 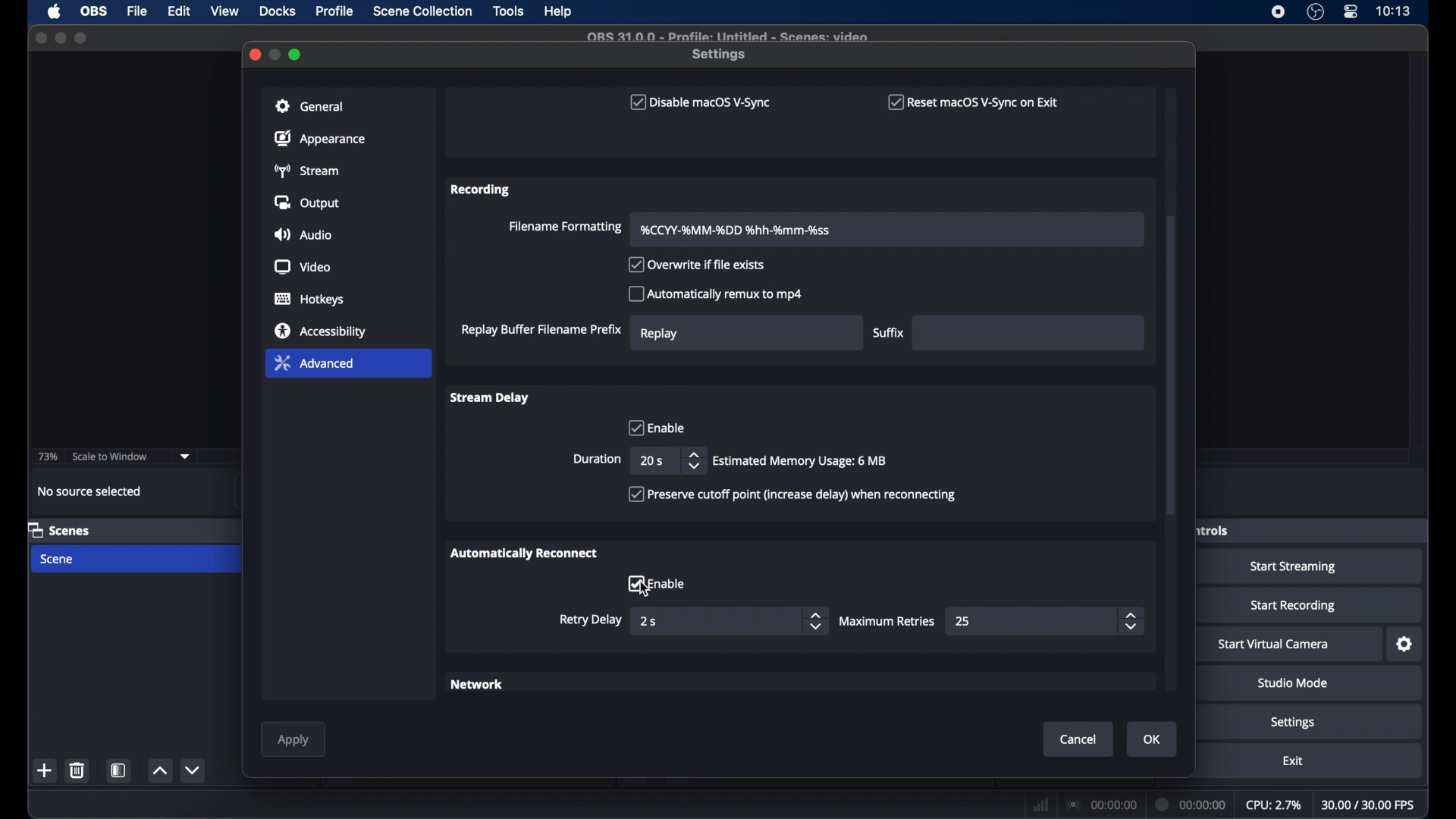 What do you see at coordinates (974, 102) in the screenshot?
I see `reset macOS V-sync on exit` at bounding box center [974, 102].